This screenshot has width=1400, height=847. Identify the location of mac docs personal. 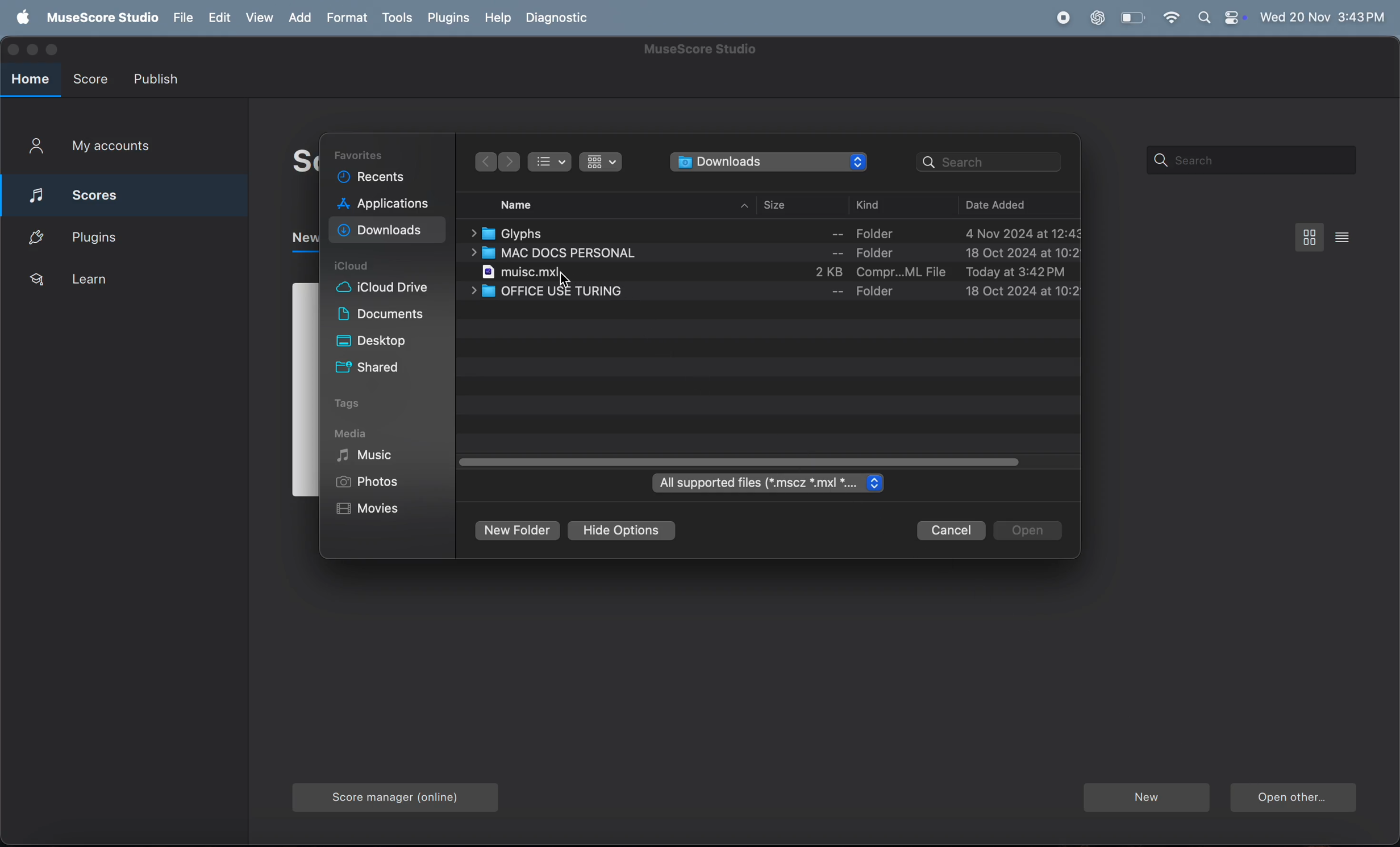
(776, 254).